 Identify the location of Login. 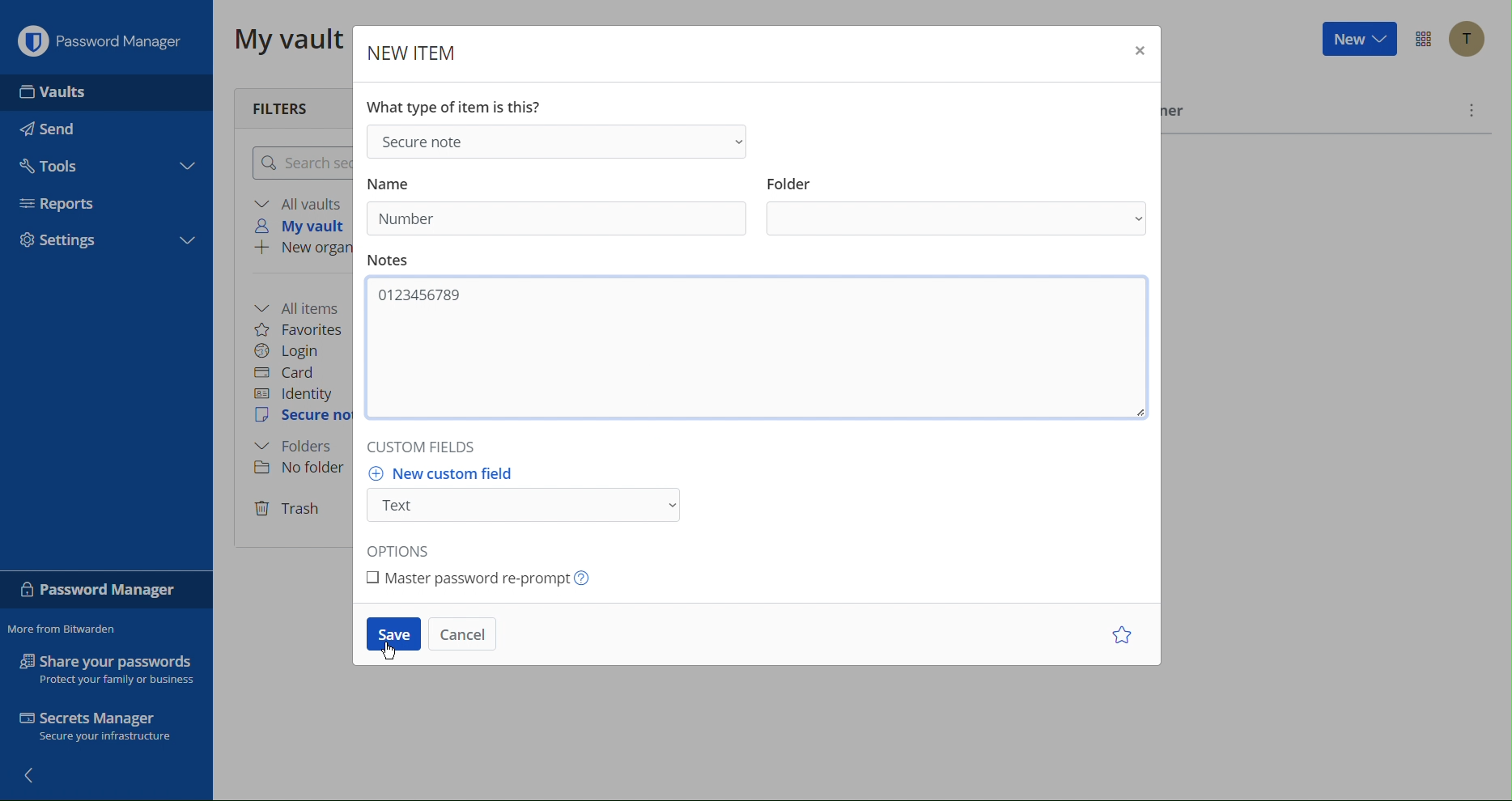
(293, 350).